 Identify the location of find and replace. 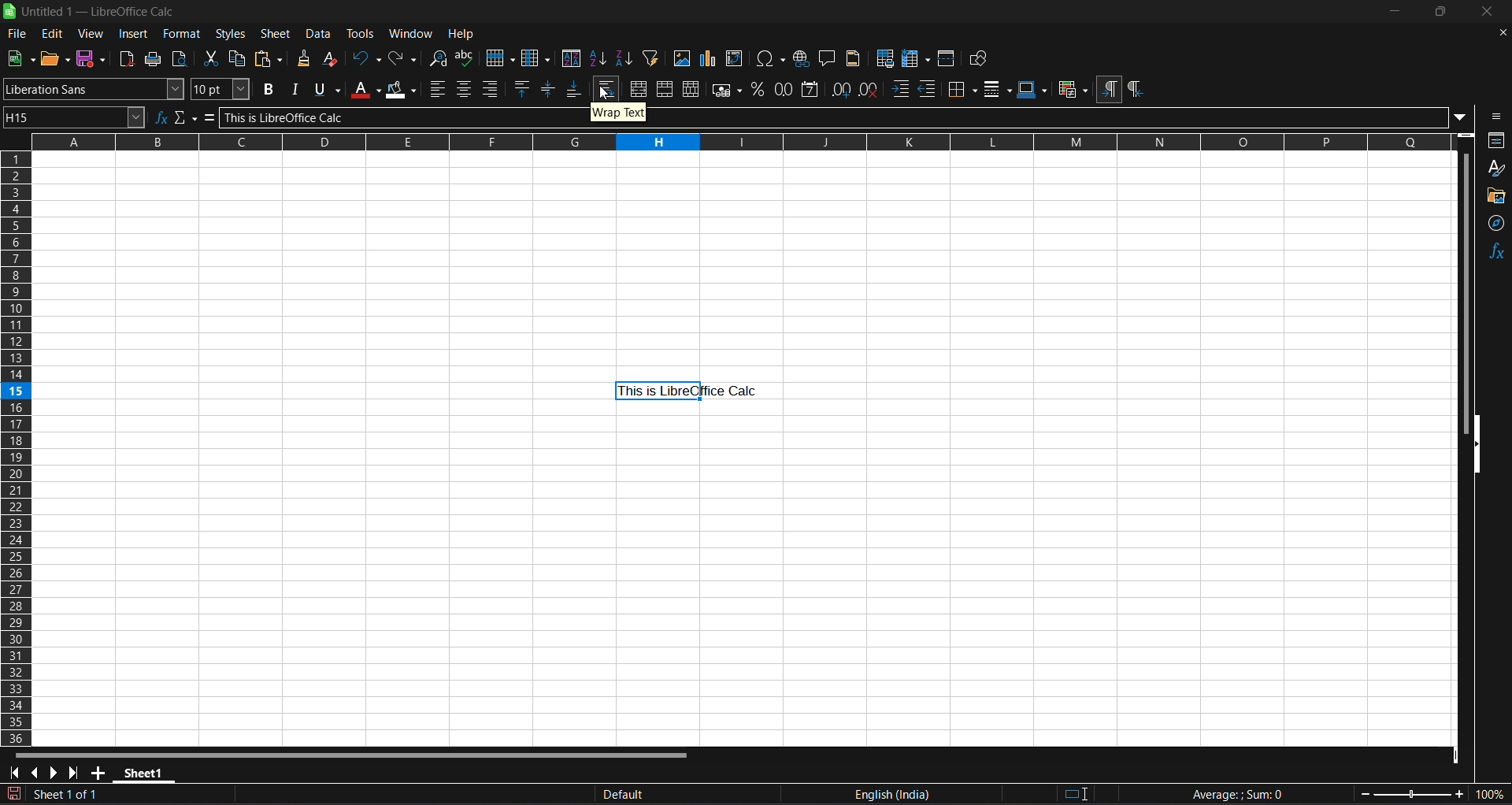
(439, 59).